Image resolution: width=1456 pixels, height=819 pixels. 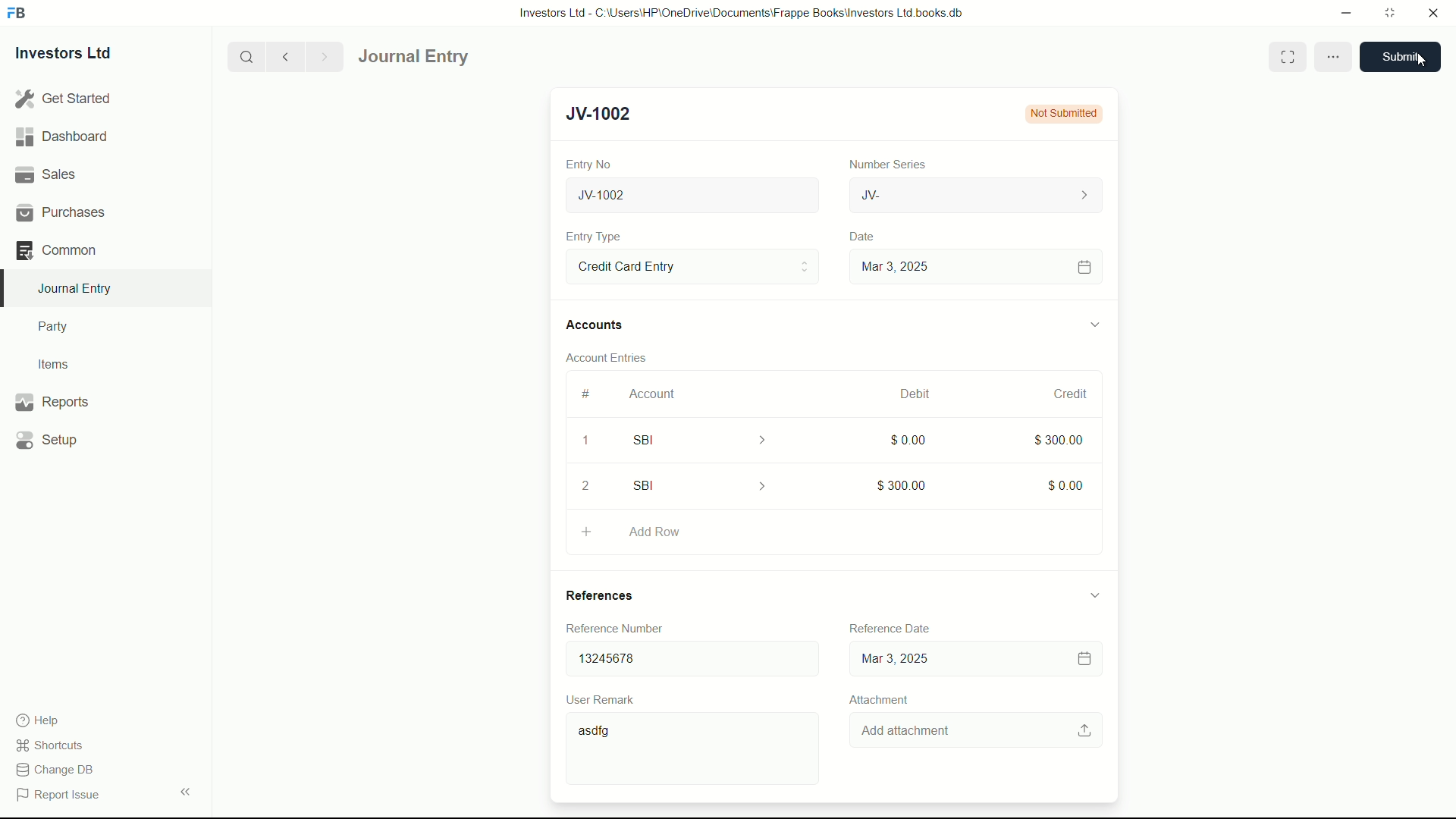 I want to click on search, so click(x=245, y=55).